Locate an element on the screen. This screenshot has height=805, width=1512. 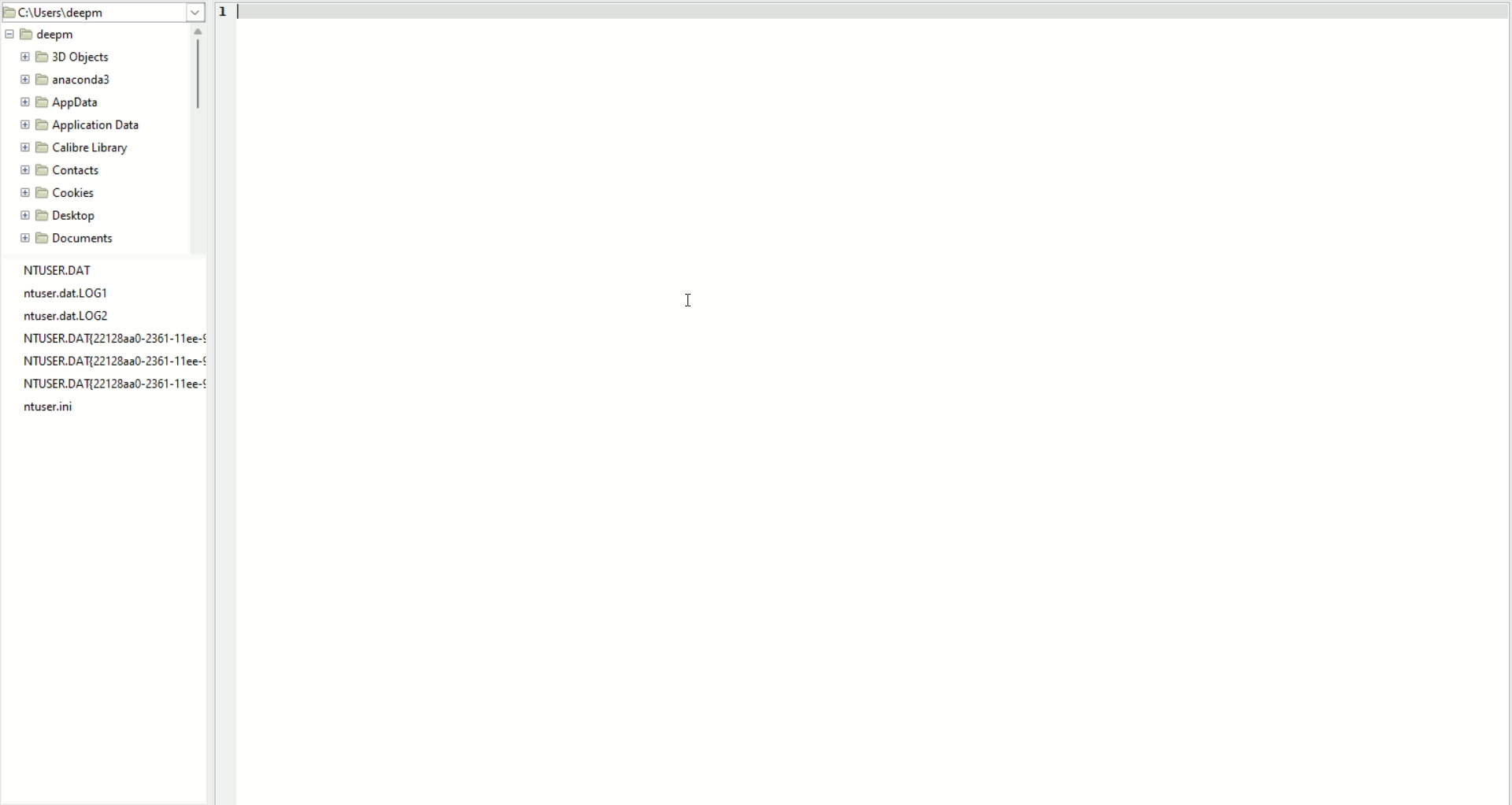
file name is located at coordinates (67, 295).